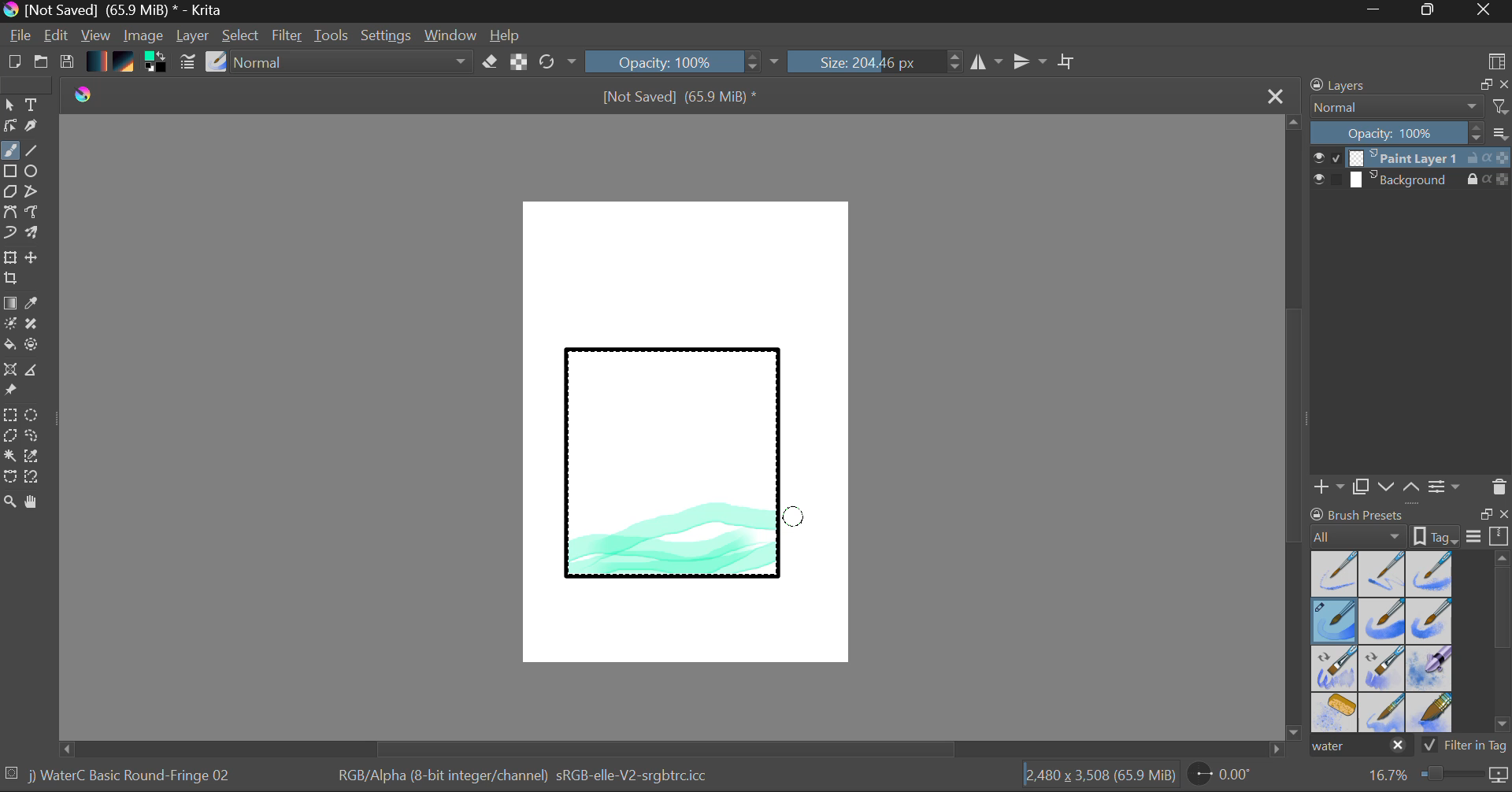 The image size is (1512, 792). Describe the element at coordinates (1336, 622) in the screenshot. I see `Brush Selected` at that location.